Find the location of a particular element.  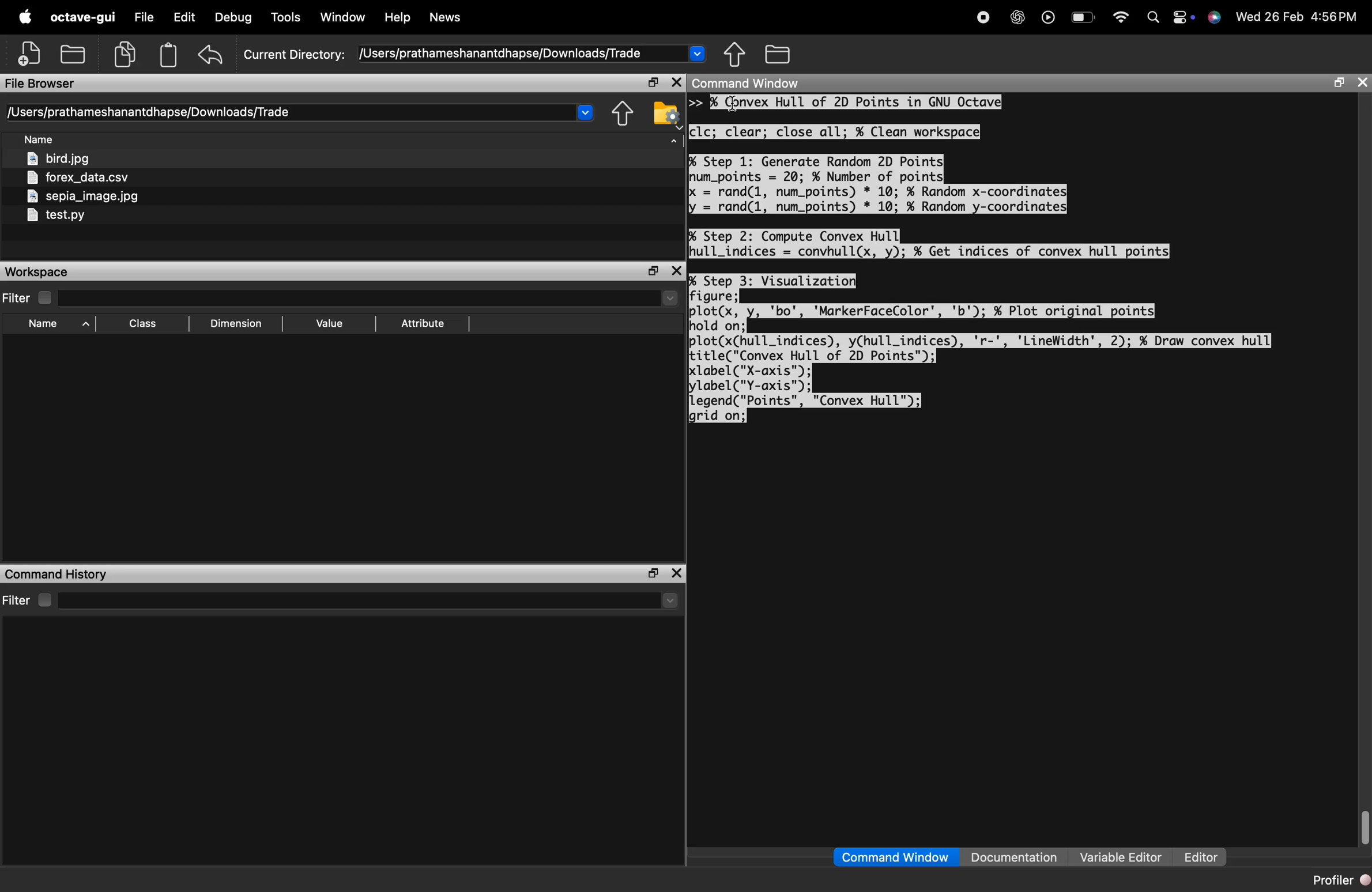

Current Directory: is located at coordinates (295, 55).